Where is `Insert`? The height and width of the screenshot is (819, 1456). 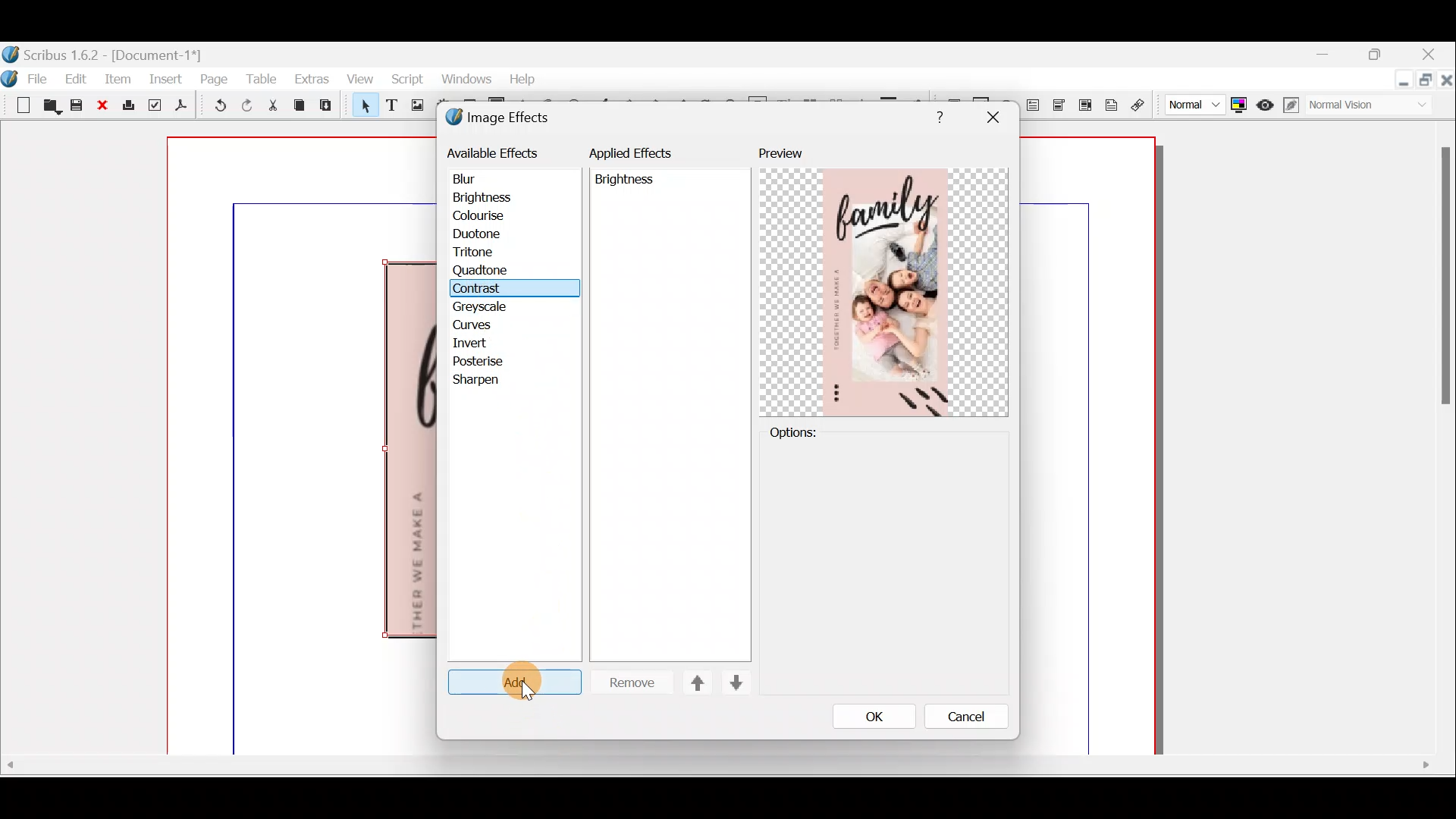
Insert is located at coordinates (167, 78).